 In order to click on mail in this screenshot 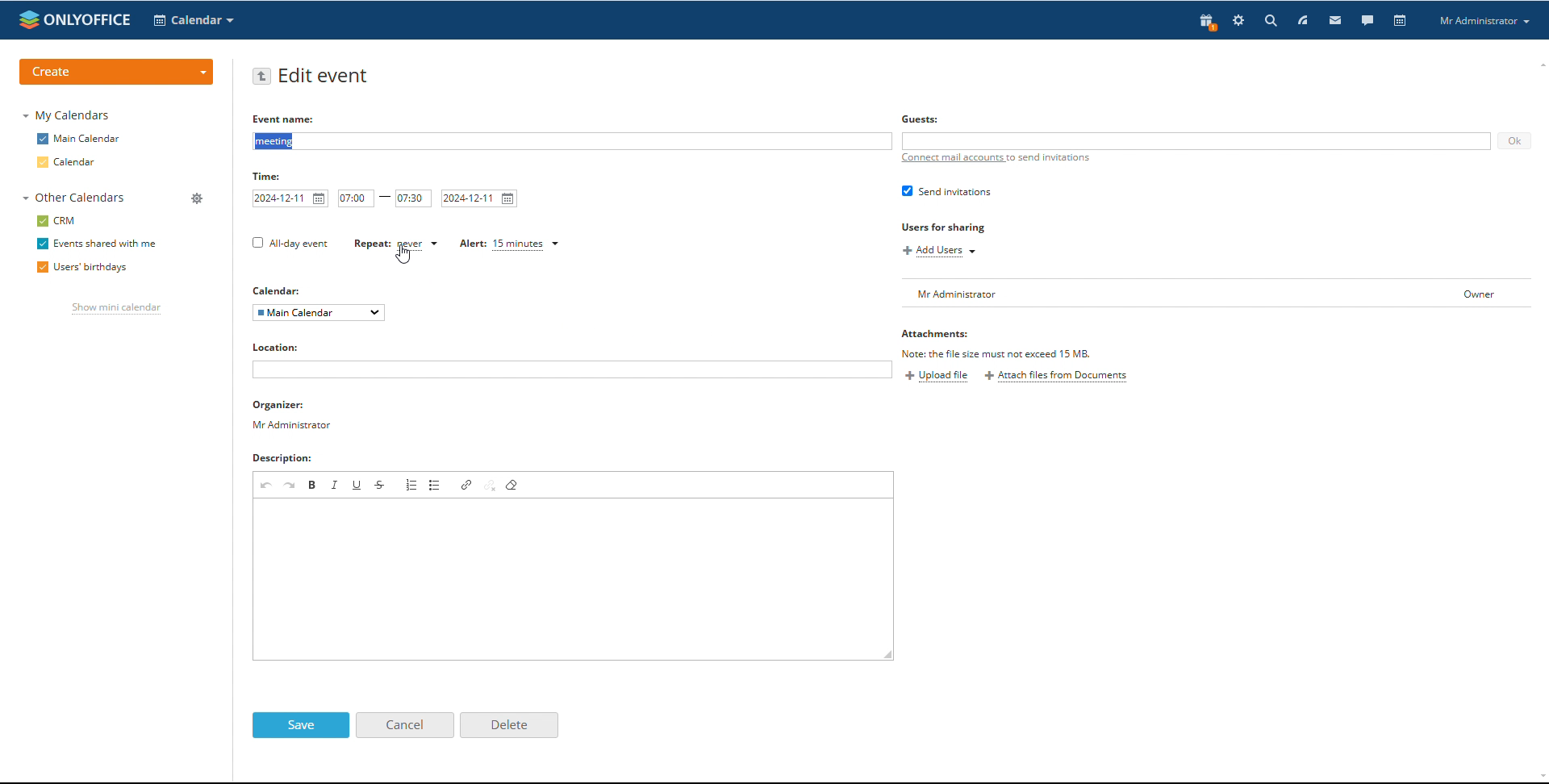, I will do `click(1336, 20)`.